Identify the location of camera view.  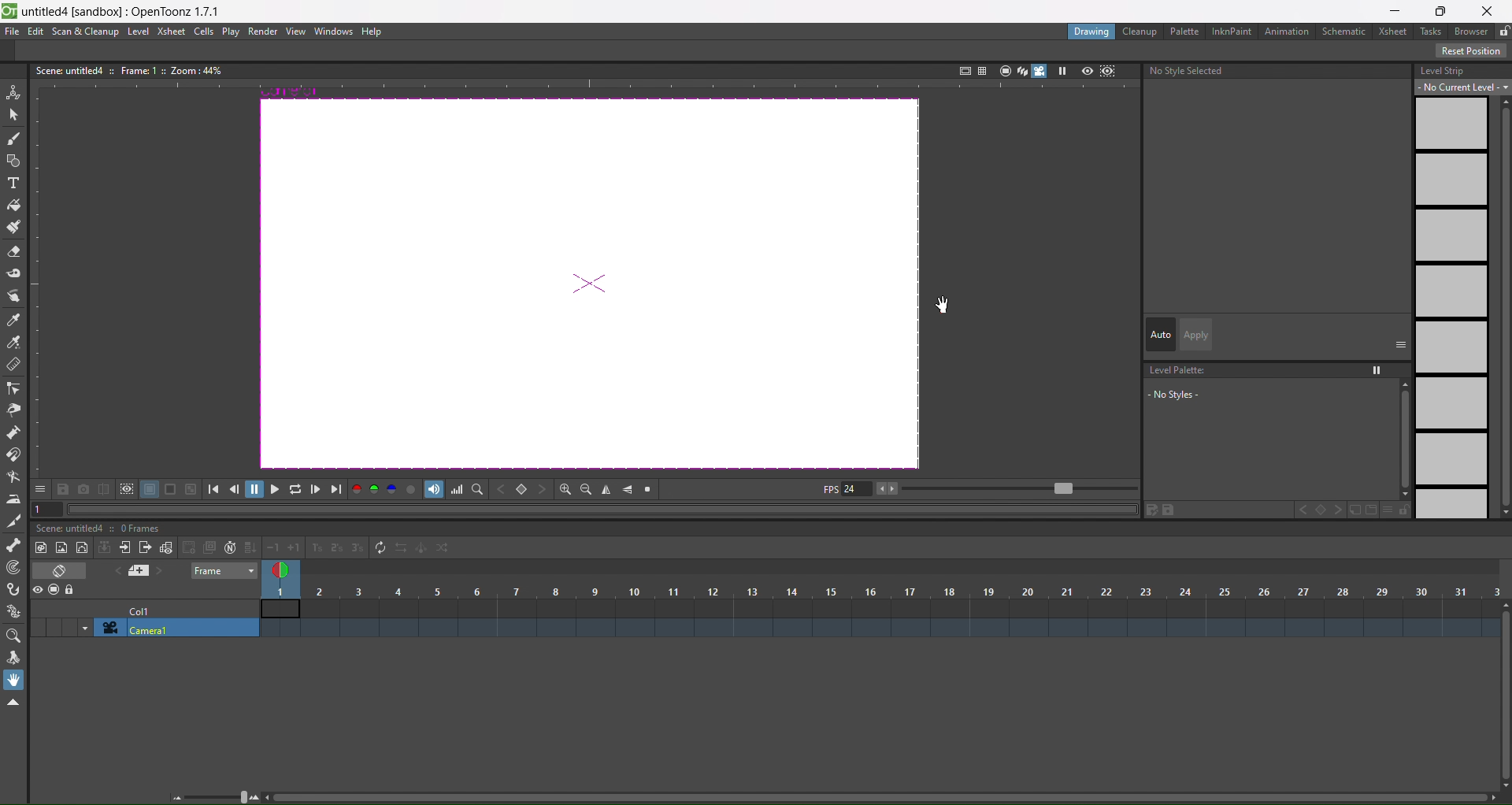
(1031, 71).